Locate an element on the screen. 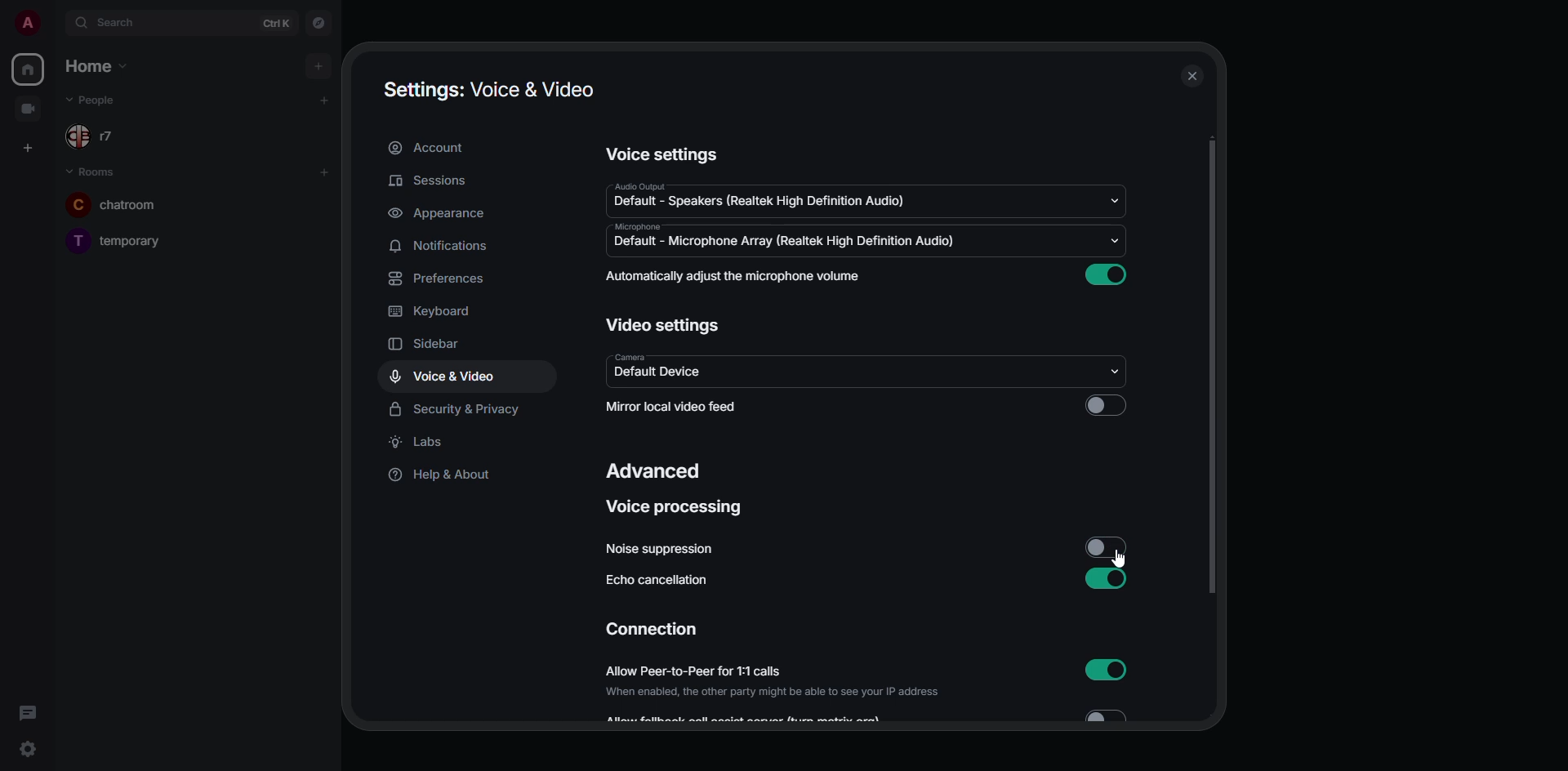 The height and width of the screenshot is (771, 1568). allow peer-to-peer for 1:1 calls is located at coordinates (777, 682).